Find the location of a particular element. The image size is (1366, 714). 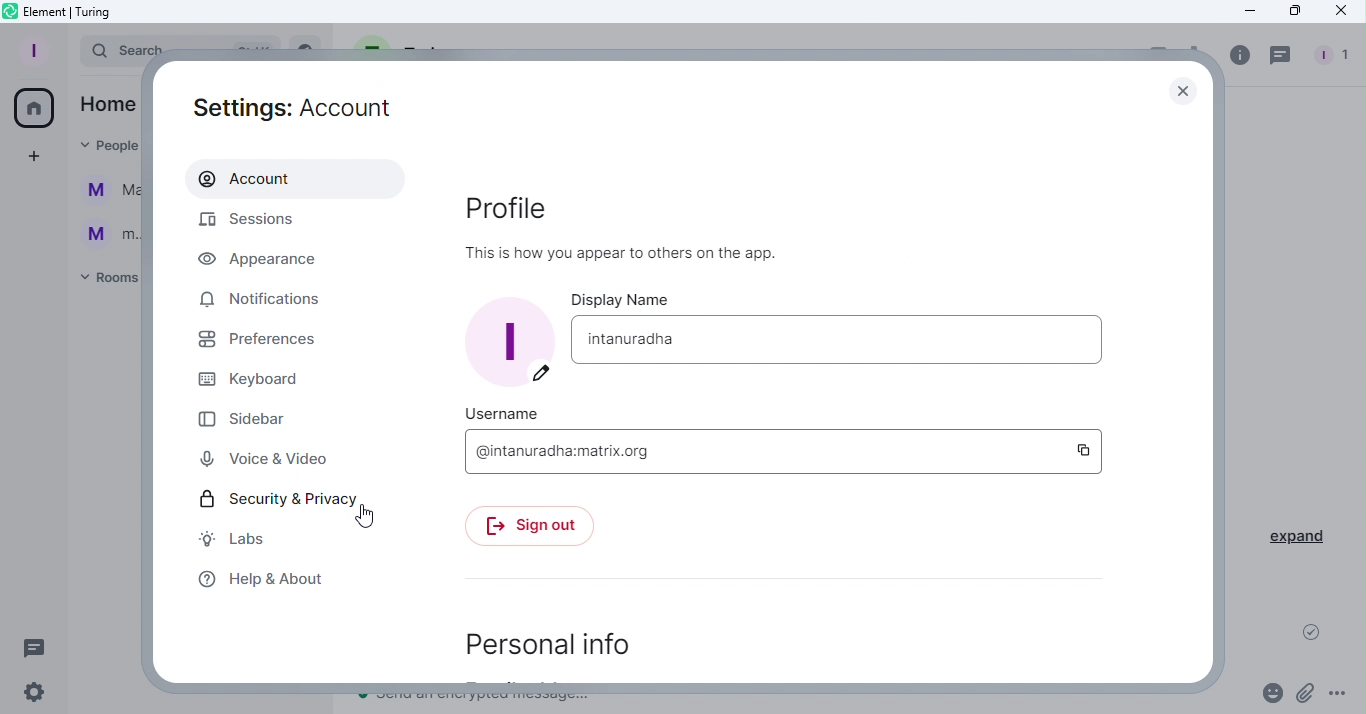

Appearance is located at coordinates (270, 260).